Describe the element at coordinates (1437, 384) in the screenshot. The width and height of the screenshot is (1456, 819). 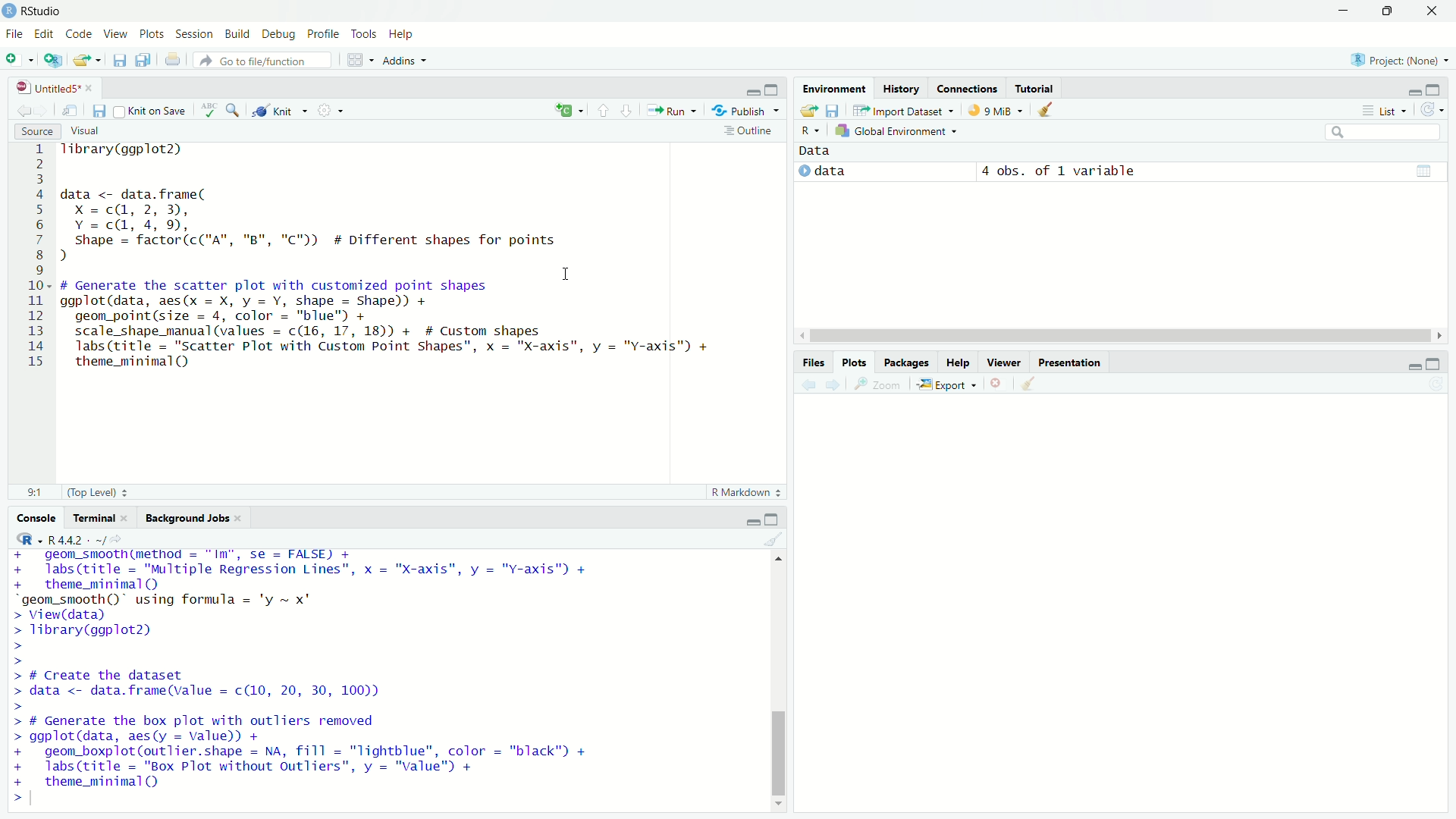
I see `Refresh current plot` at that location.